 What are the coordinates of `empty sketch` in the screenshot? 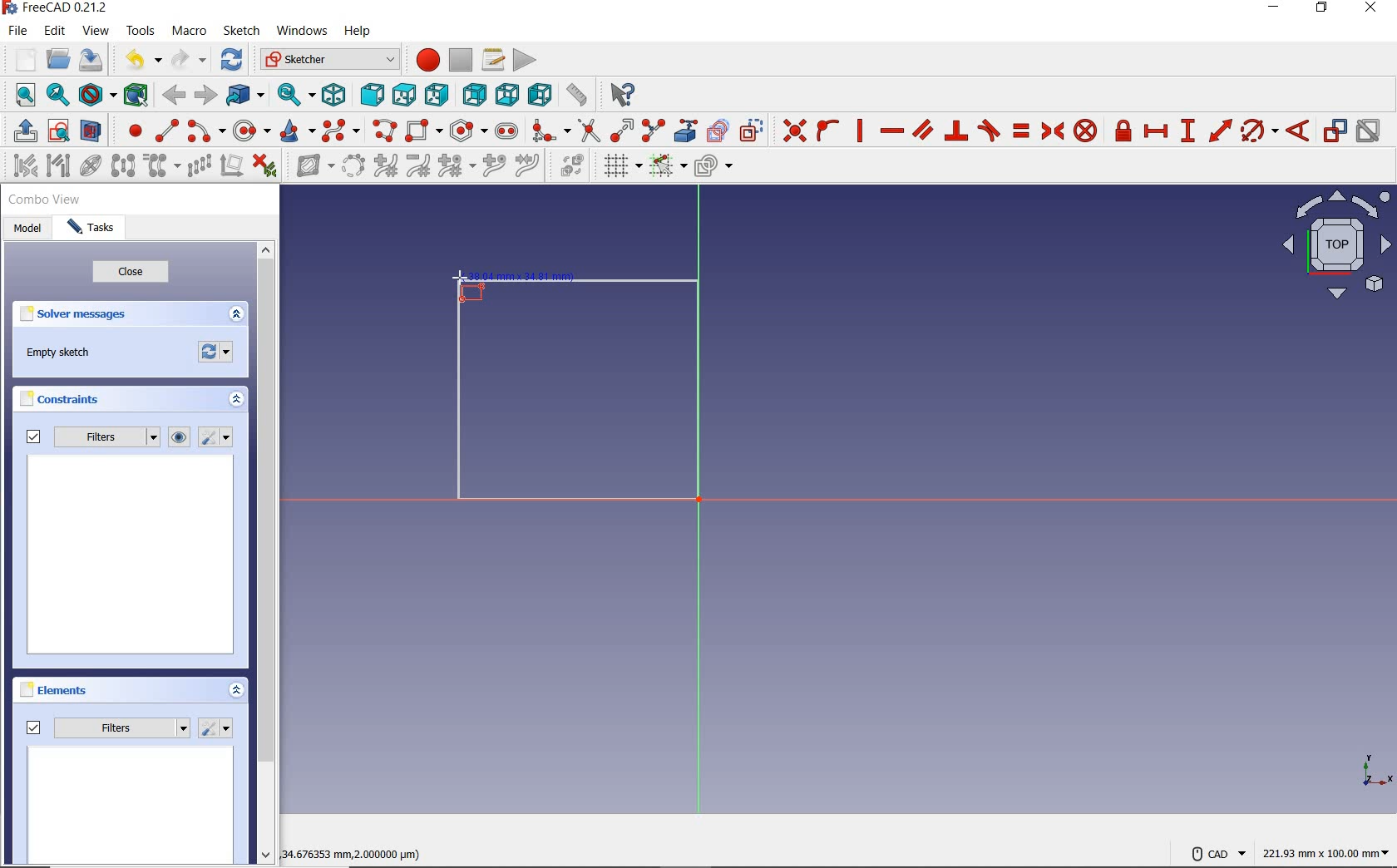 It's located at (59, 353).